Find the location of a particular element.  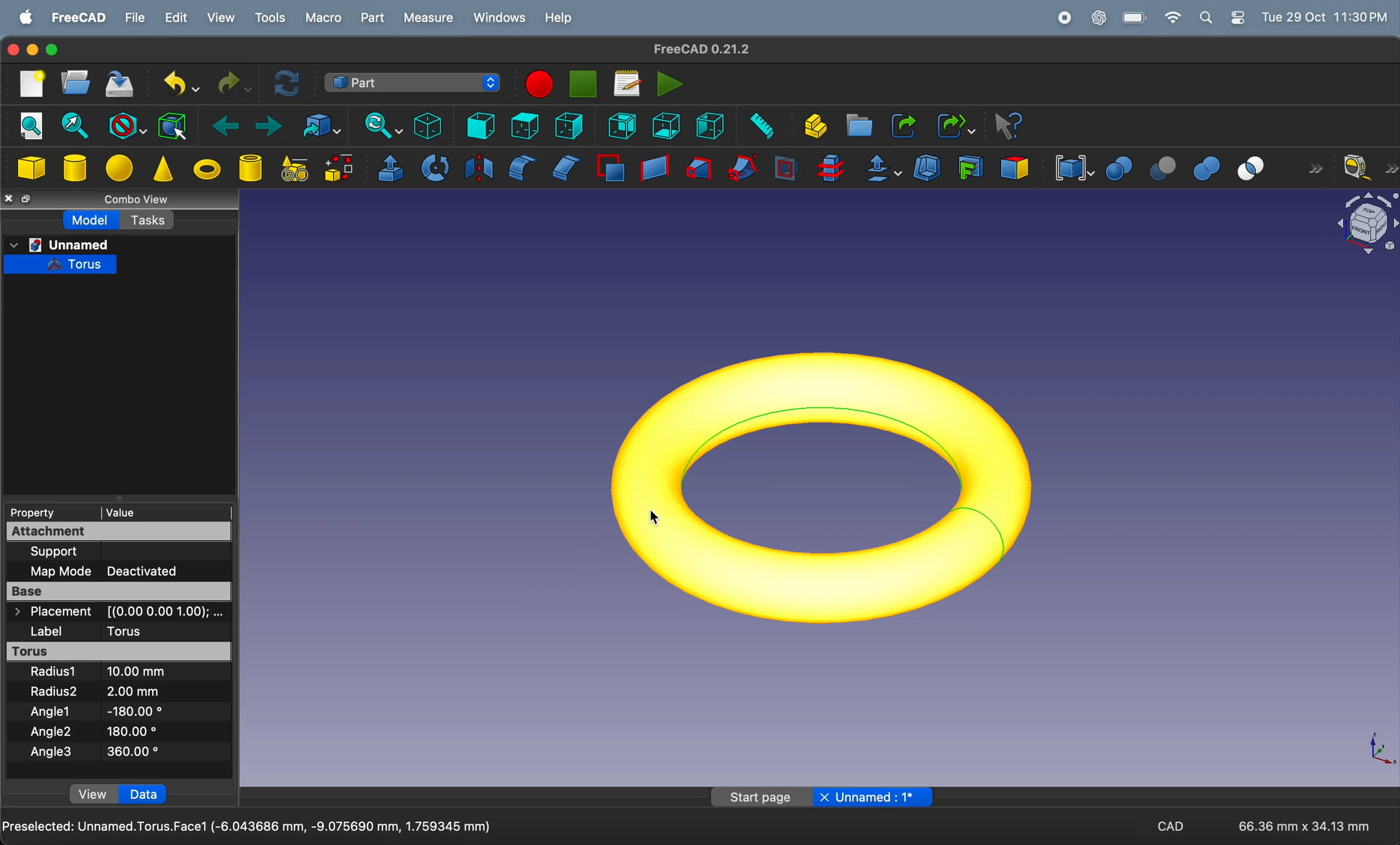

tools is located at coordinates (268, 18).